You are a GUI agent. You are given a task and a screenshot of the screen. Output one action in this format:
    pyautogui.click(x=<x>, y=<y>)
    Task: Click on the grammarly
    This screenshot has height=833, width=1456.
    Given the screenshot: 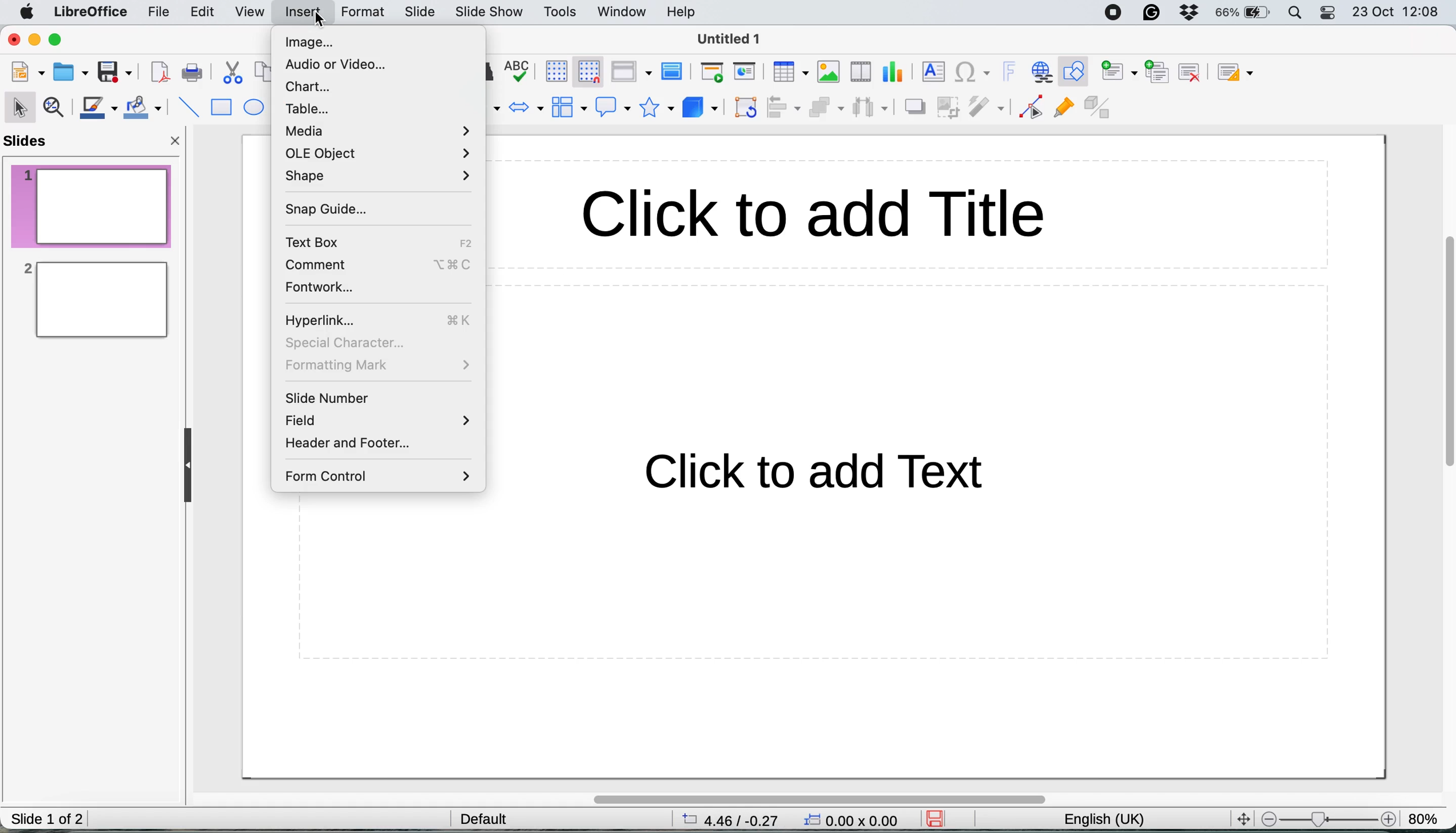 What is the action you would take?
    pyautogui.click(x=1153, y=14)
    